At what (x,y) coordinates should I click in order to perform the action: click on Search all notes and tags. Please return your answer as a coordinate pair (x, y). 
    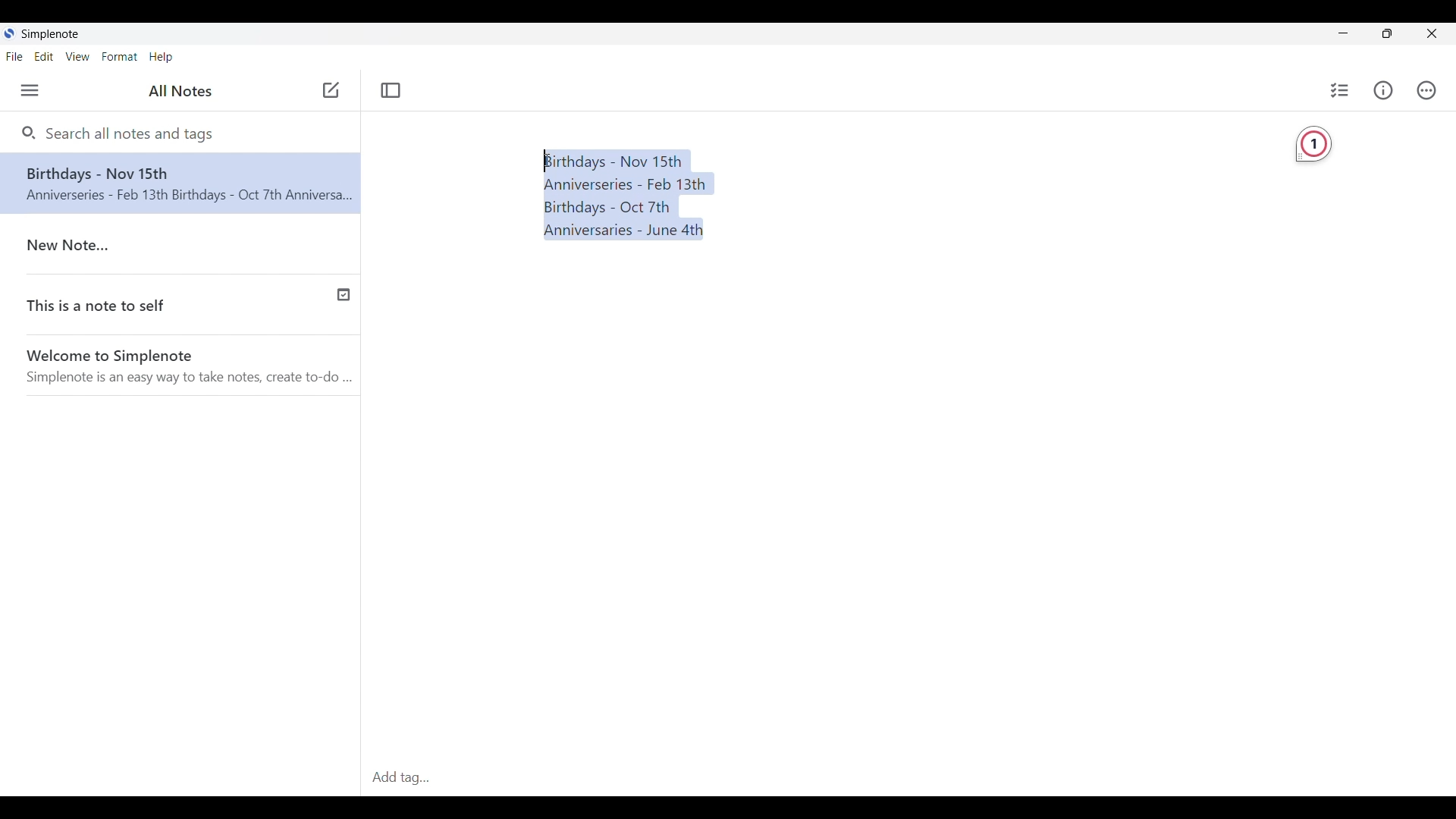
    Looking at the image, I should click on (134, 133).